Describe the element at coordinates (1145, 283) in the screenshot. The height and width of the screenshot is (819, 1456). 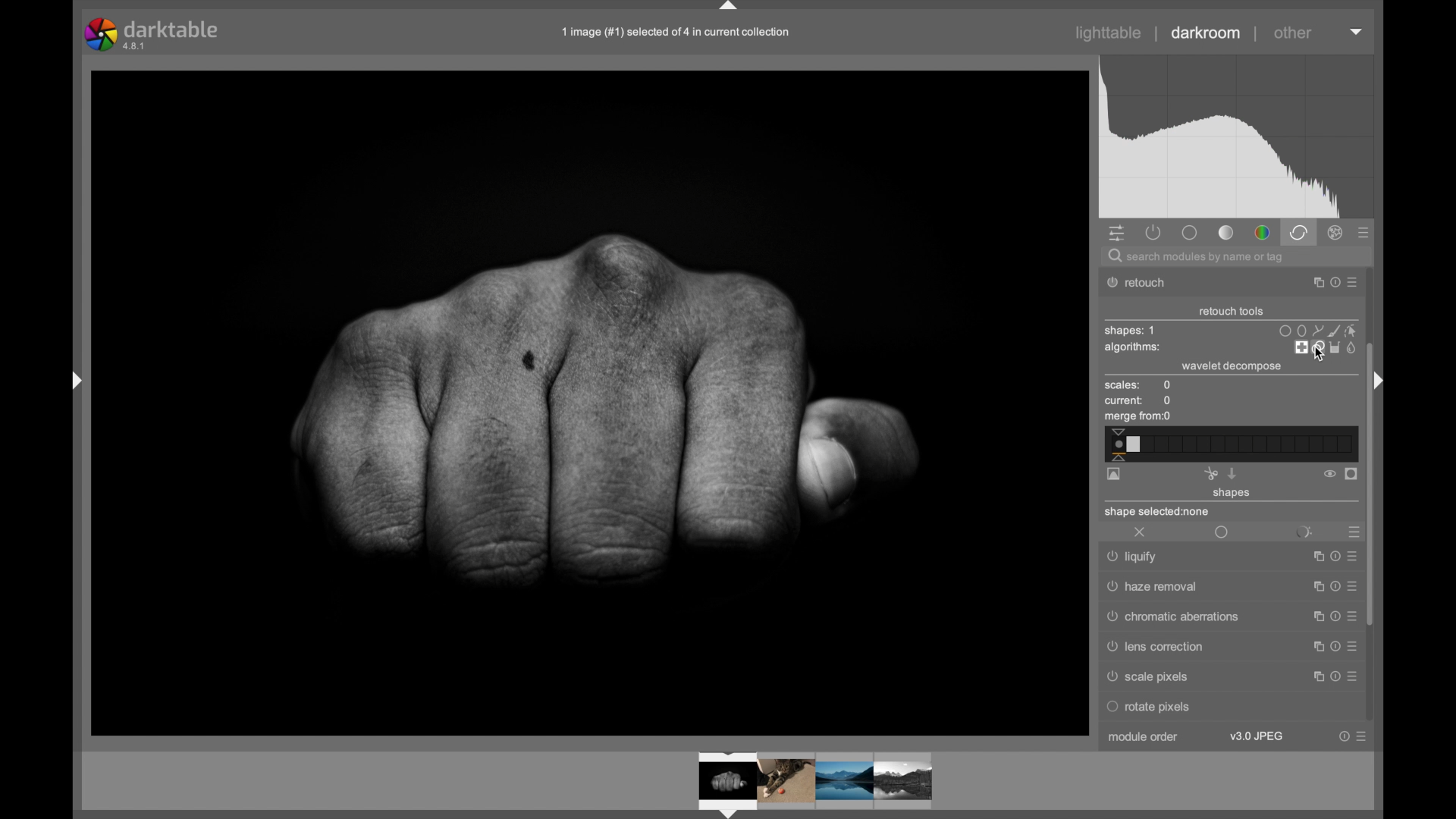
I see `retouch` at that location.